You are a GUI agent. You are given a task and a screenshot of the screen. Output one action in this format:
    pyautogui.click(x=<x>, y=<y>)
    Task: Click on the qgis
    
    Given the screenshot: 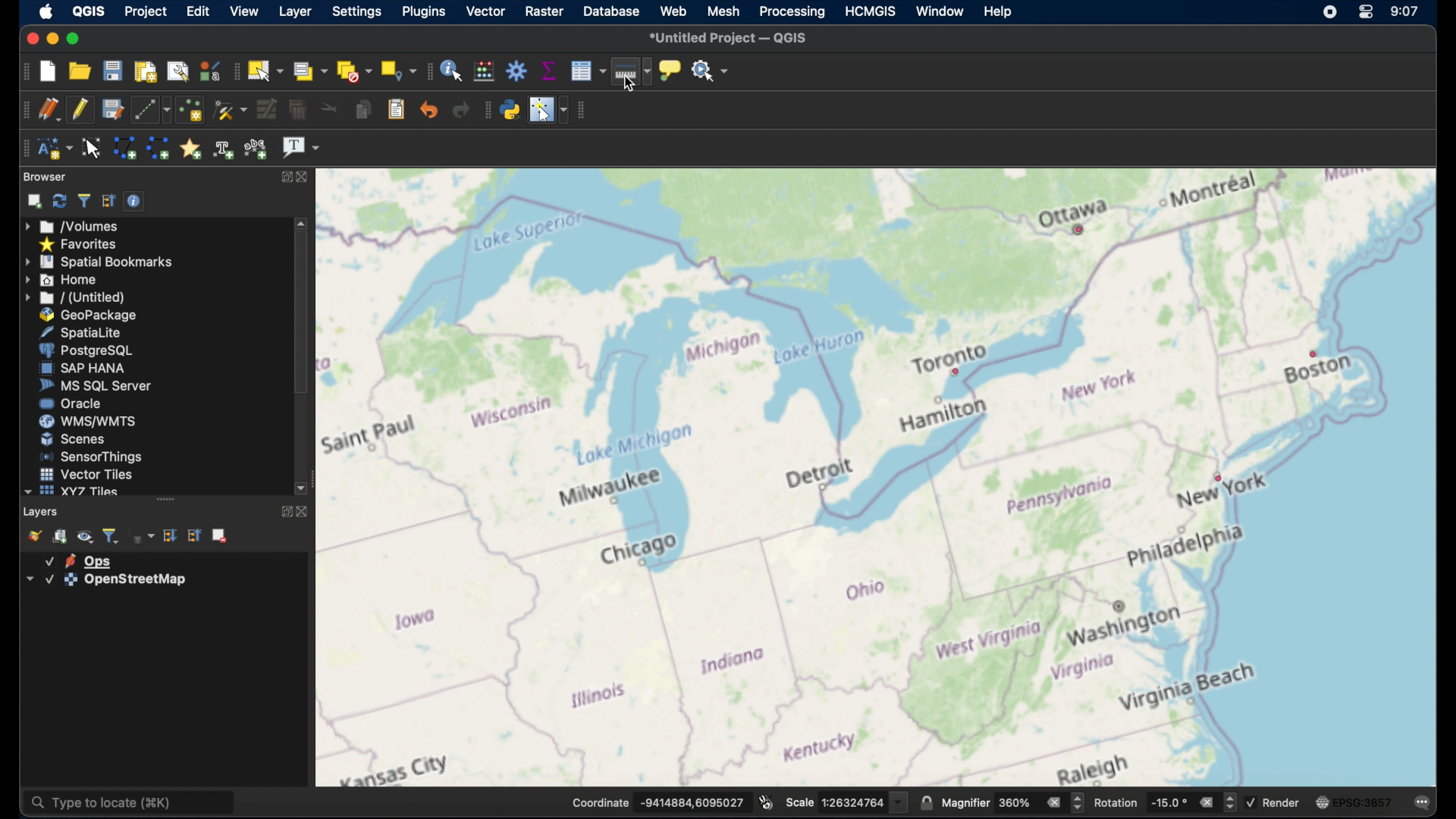 What is the action you would take?
    pyautogui.click(x=89, y=11)
    